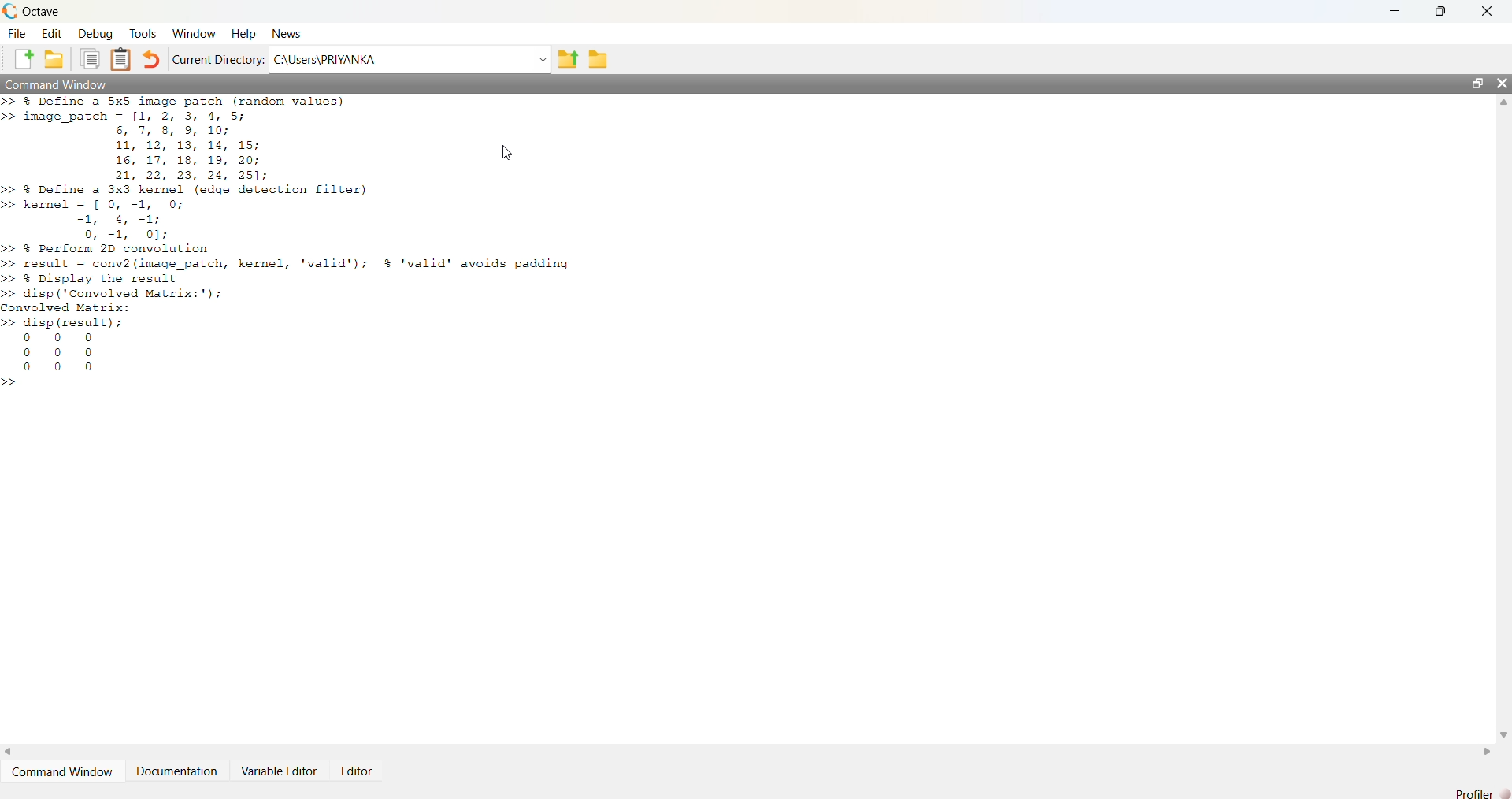  I want to click on Browse directories, so click(603, 58).